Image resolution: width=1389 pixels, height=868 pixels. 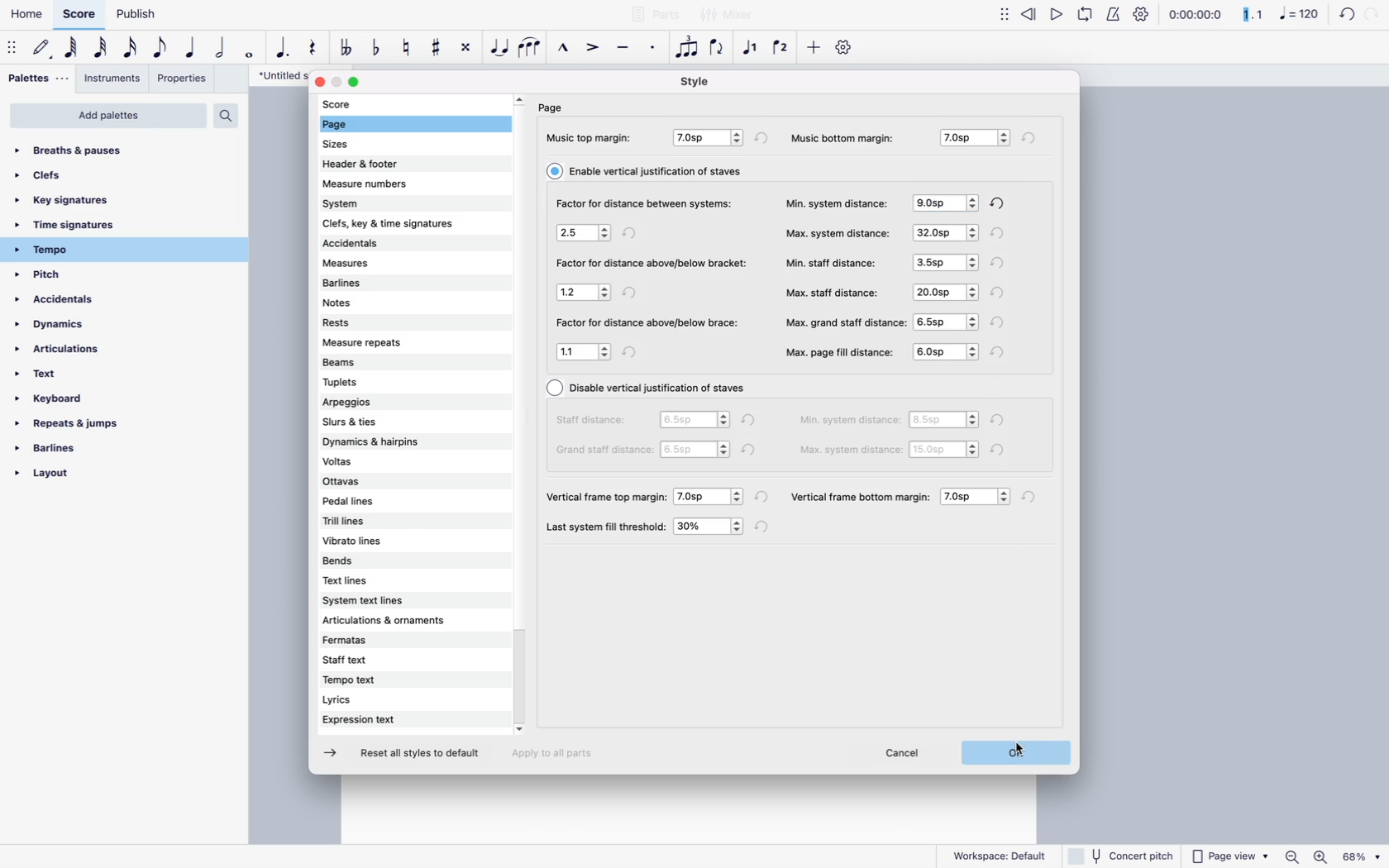 I want to click on tuplets, so click(x=377, y=380).